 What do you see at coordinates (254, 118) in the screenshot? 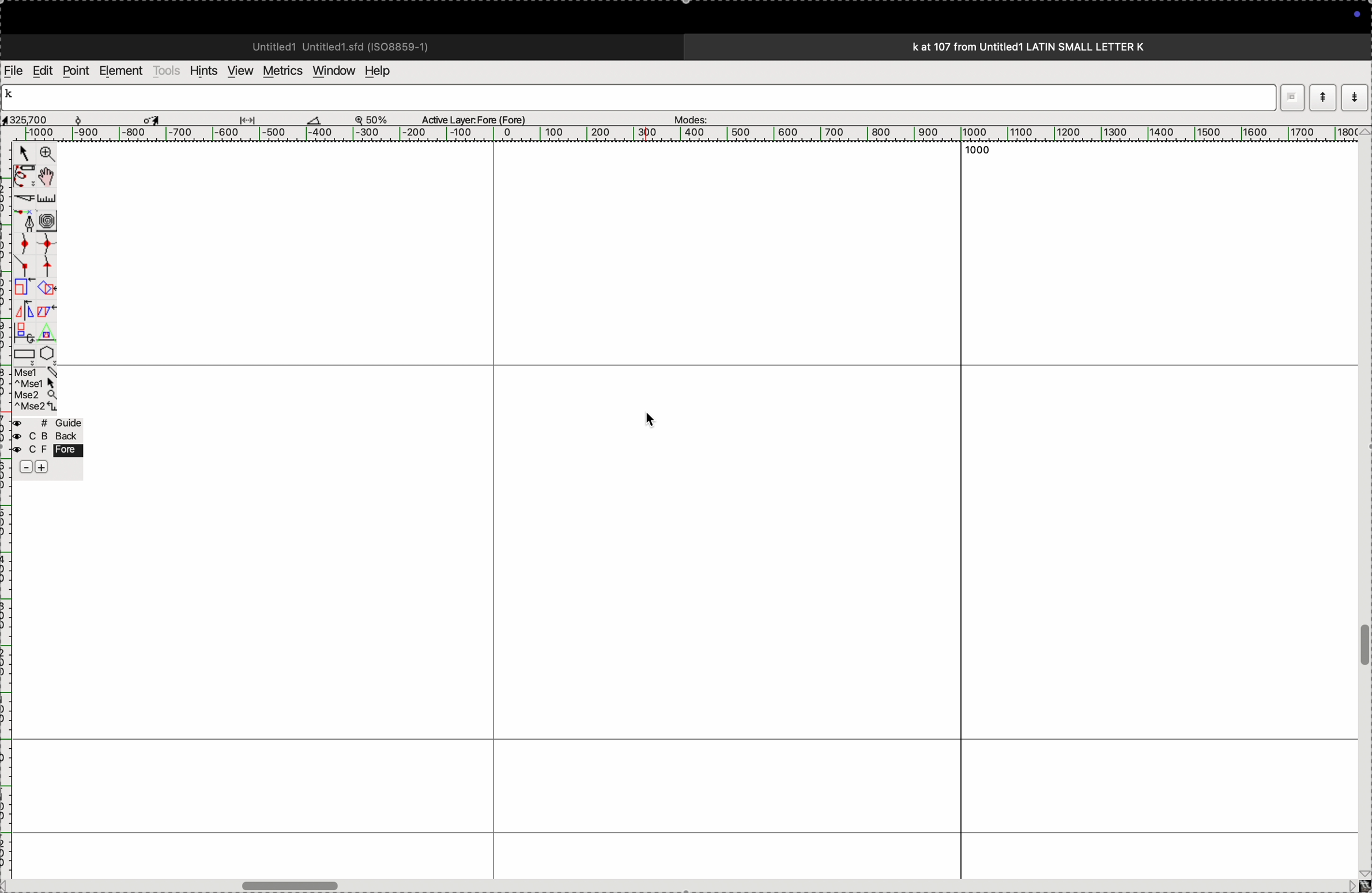
I see `drang` at bounding box center [254, 118].